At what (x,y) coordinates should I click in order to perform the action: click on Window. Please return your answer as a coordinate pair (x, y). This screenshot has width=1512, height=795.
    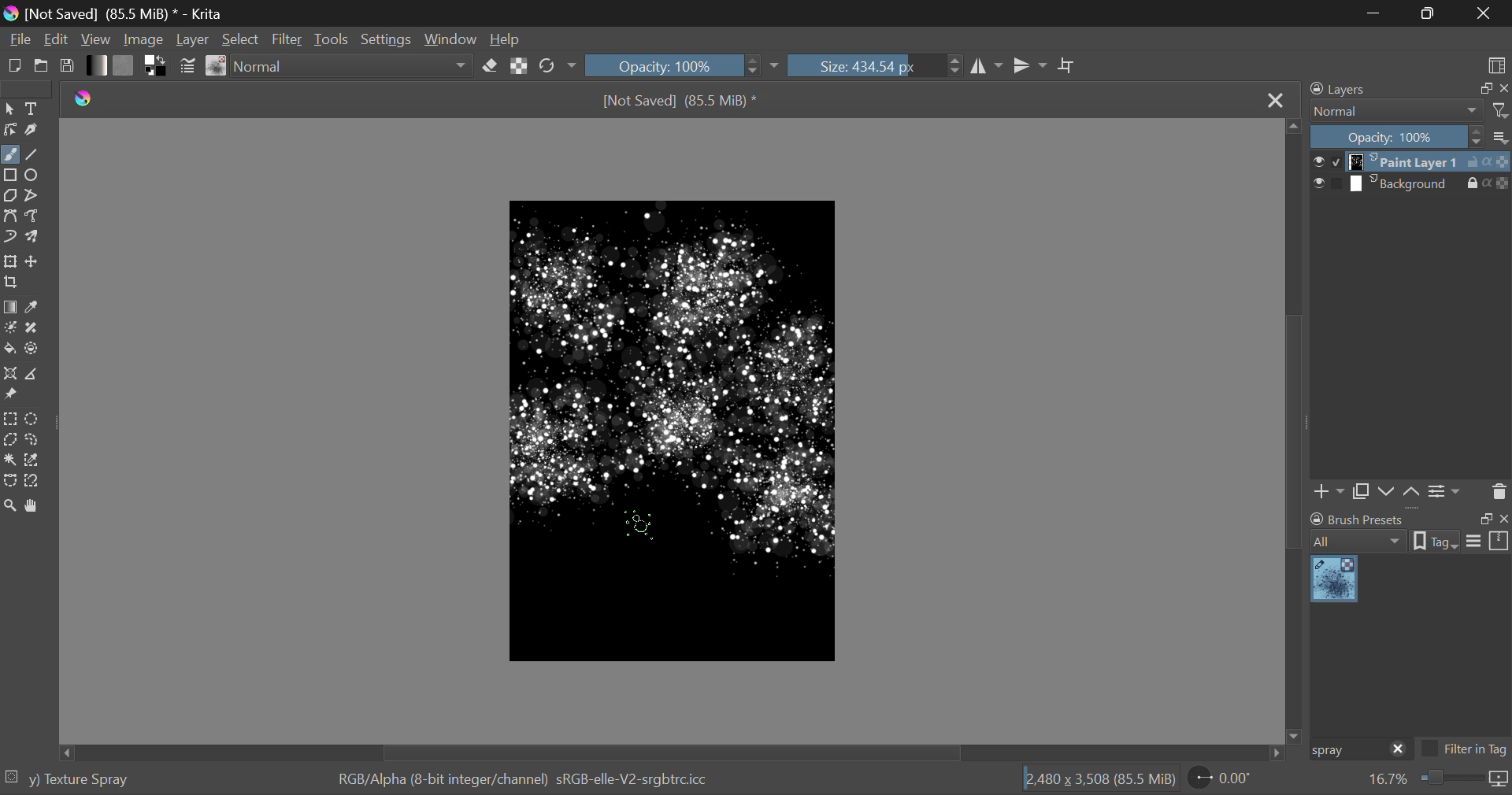
    Looking at the image, I should click on (453, 38).